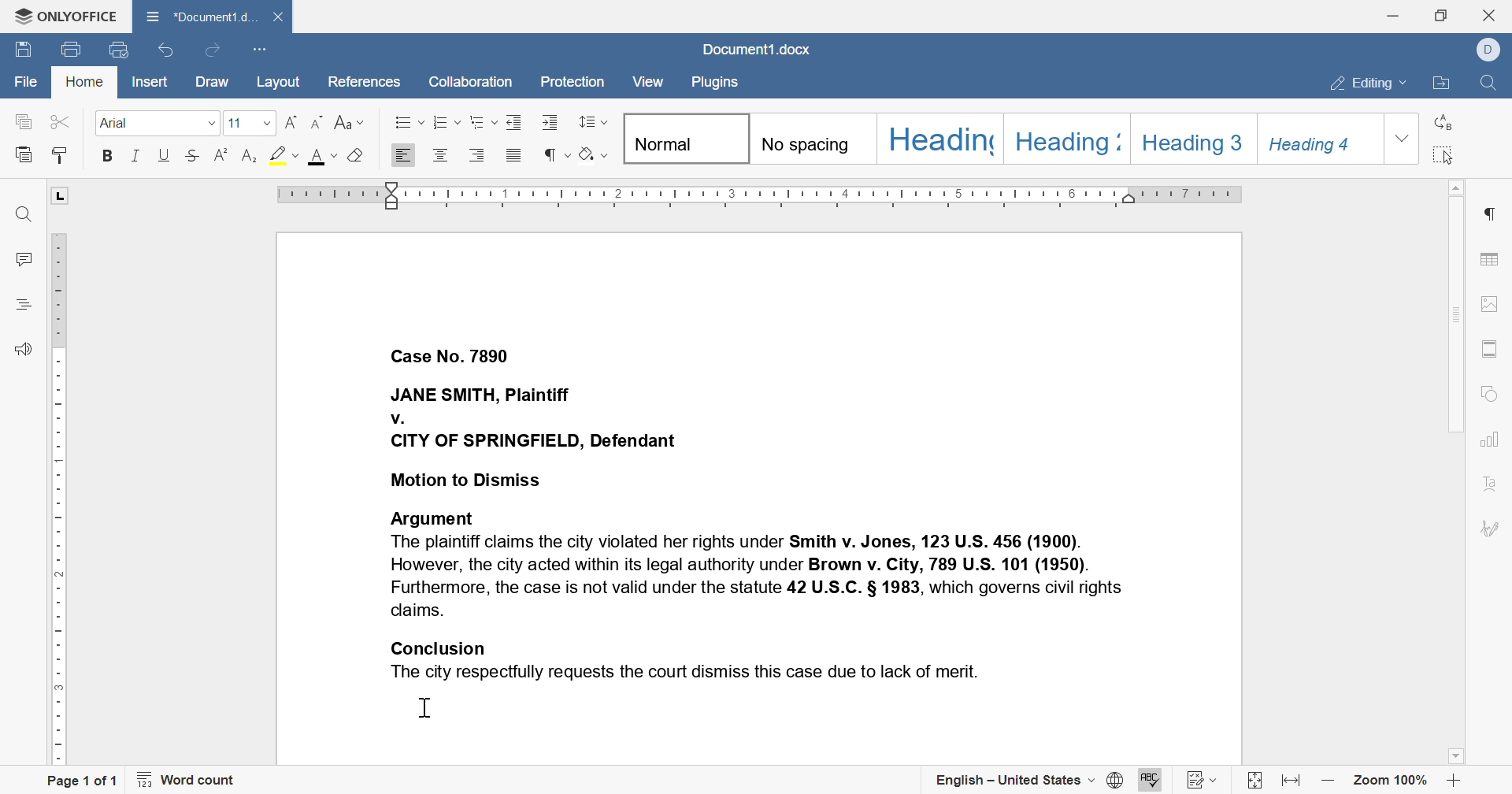  I want to click on layout, so click(279, 82).